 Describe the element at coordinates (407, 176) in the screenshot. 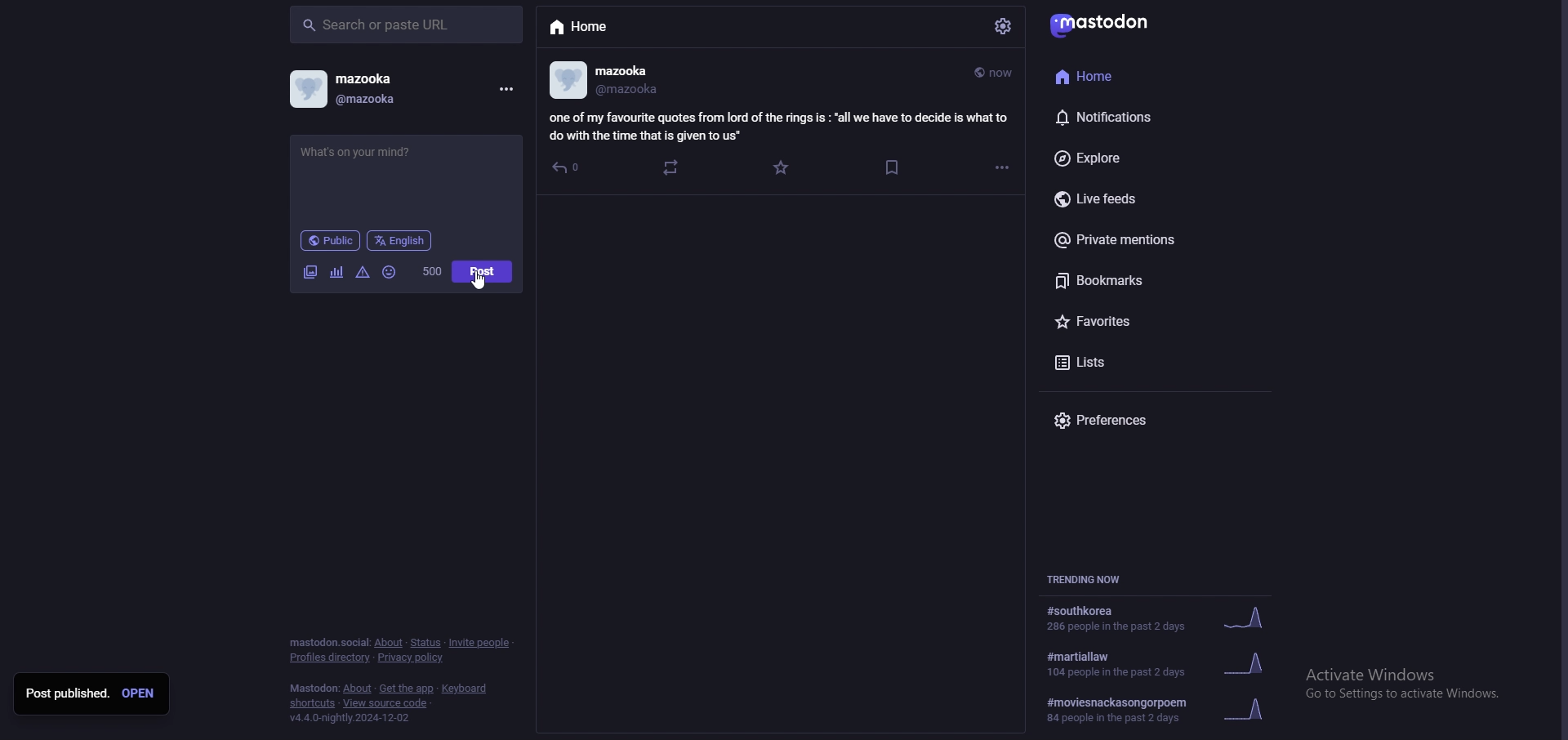

I see `post input - what's on your mind?` at that location.